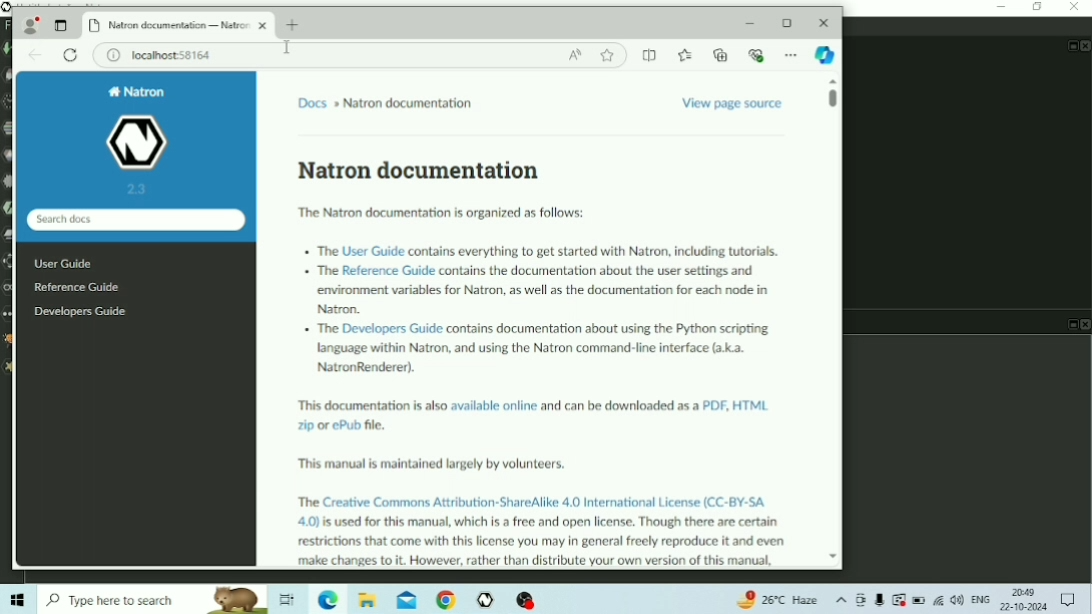  I want to click on Add, so click(719, 56).